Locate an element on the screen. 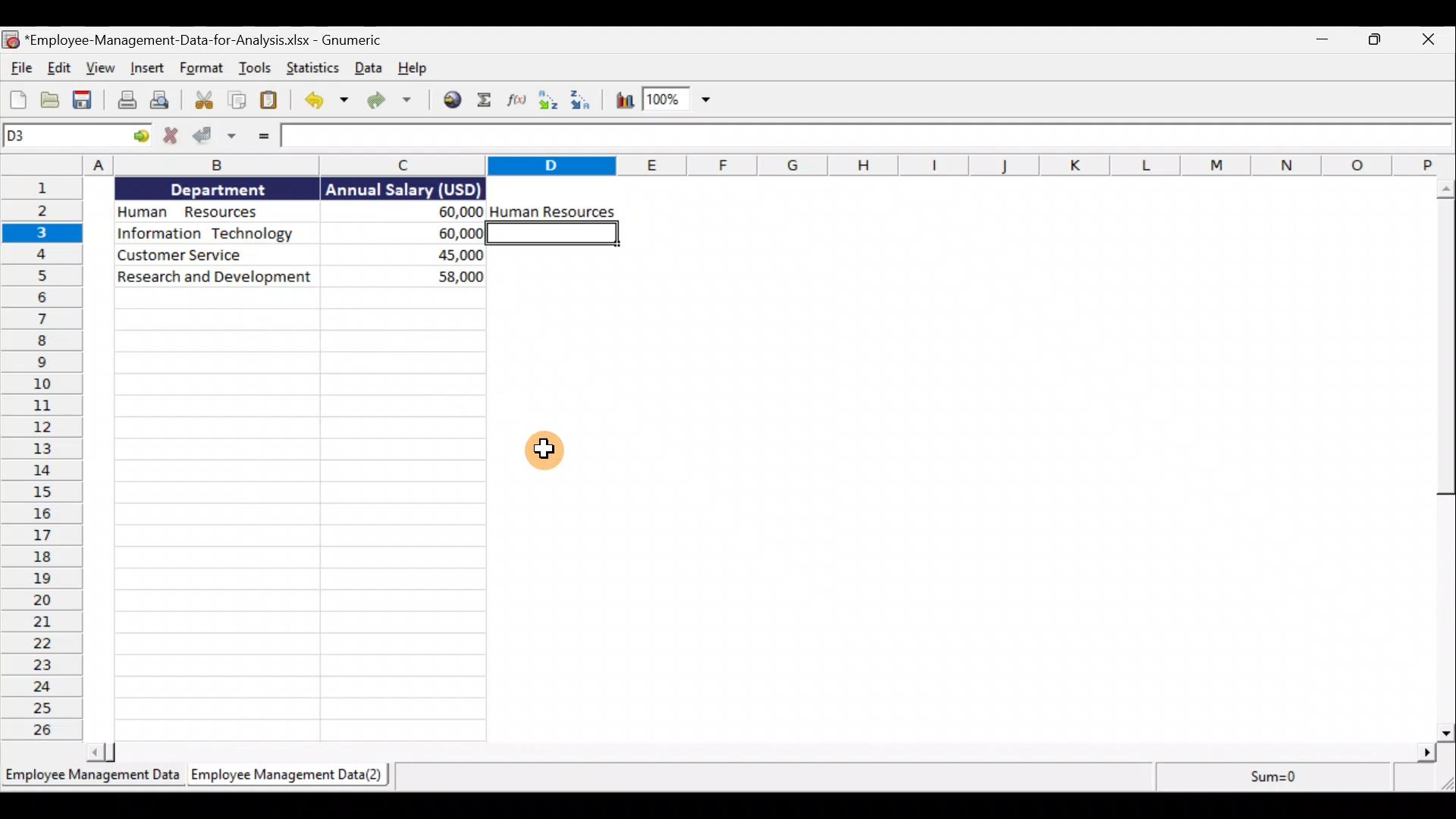  Cut the selection is located at coordinates (202, 100).